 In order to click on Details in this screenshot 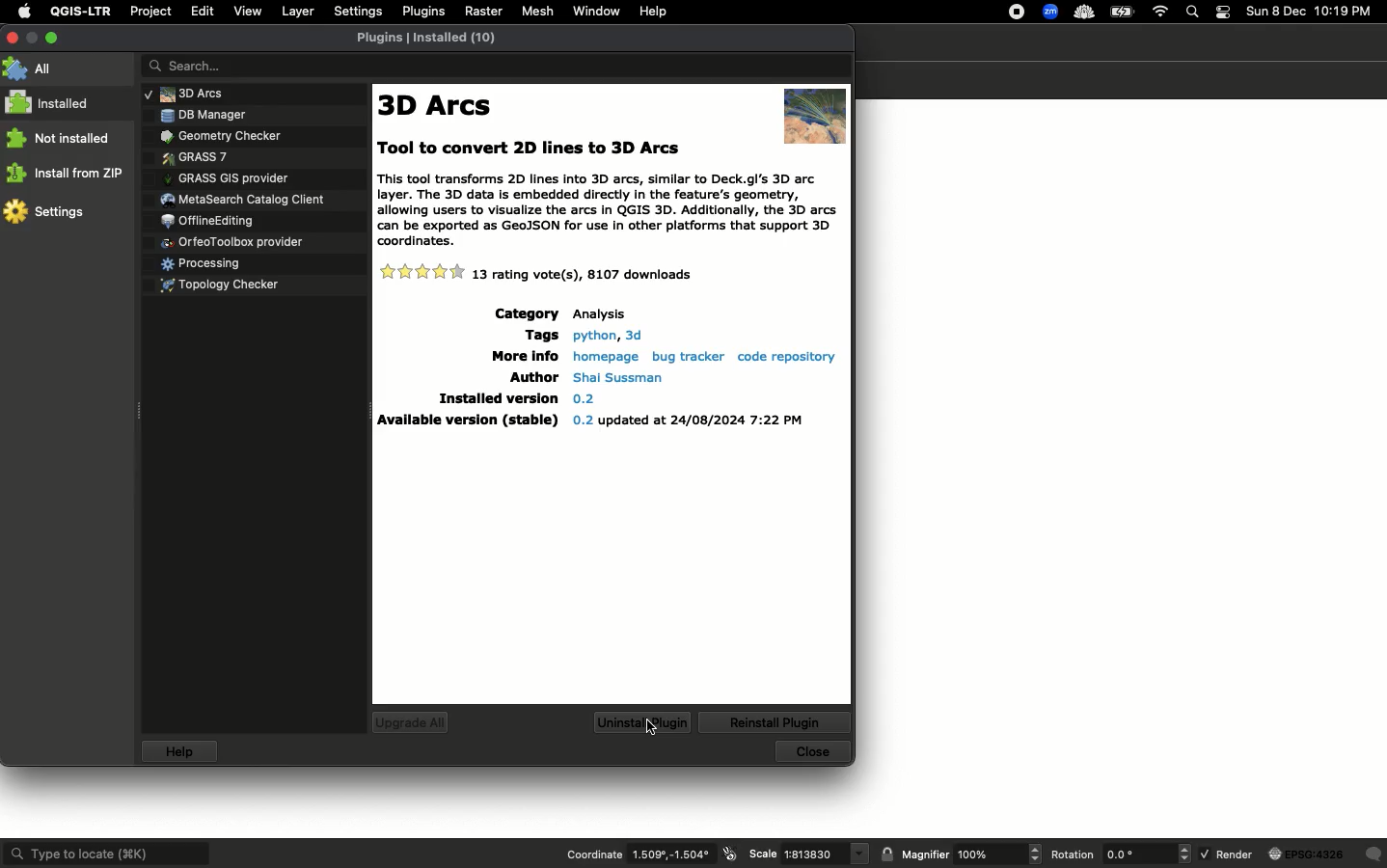, I will do `click(591, 421)`.